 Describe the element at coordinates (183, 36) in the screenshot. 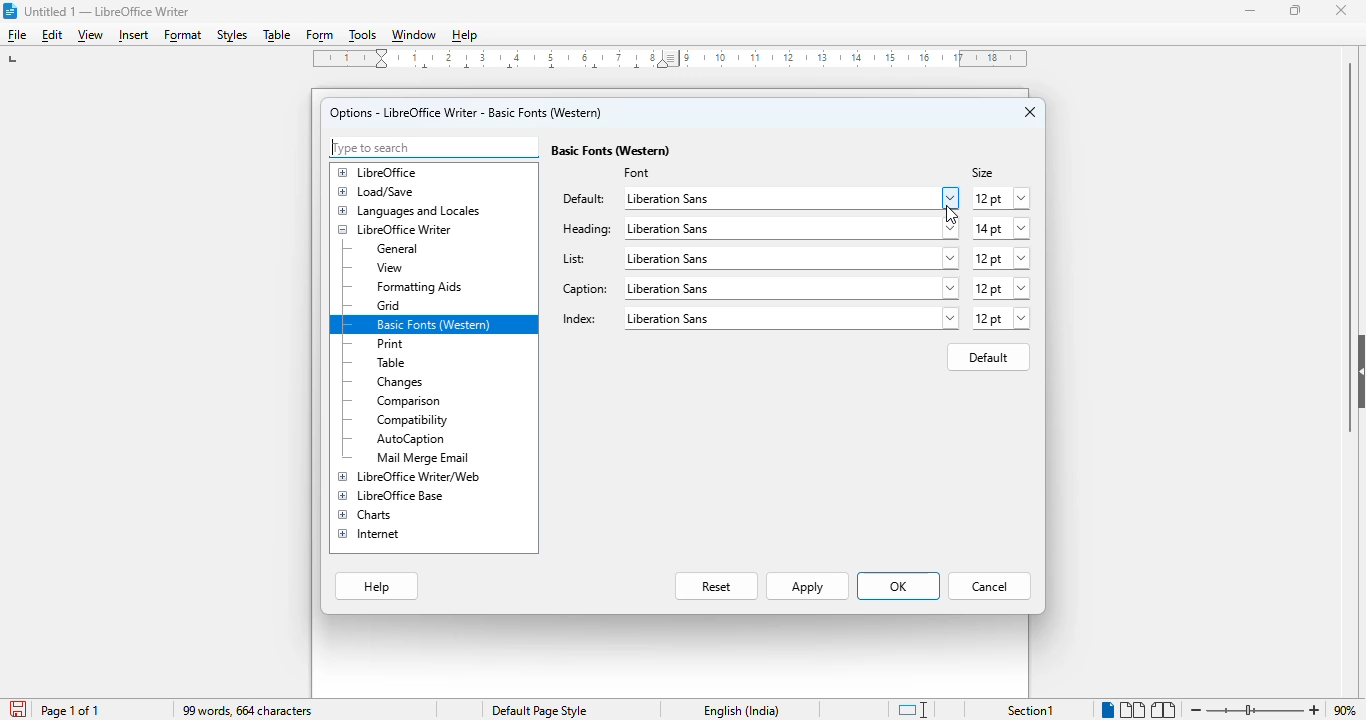

I see `format` at that location.